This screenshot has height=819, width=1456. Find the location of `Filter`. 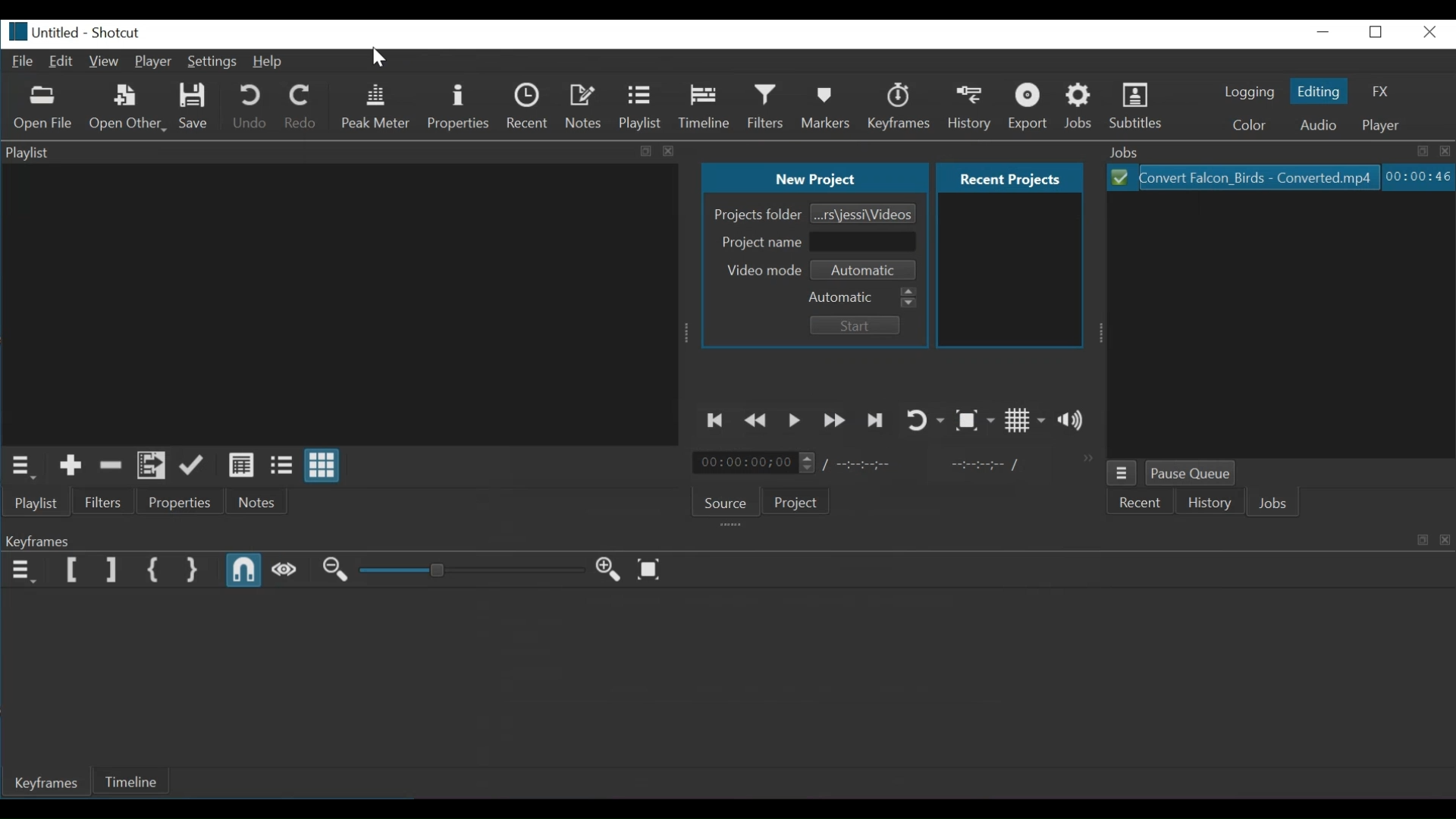

Filter is located at coordinates (104, 503).